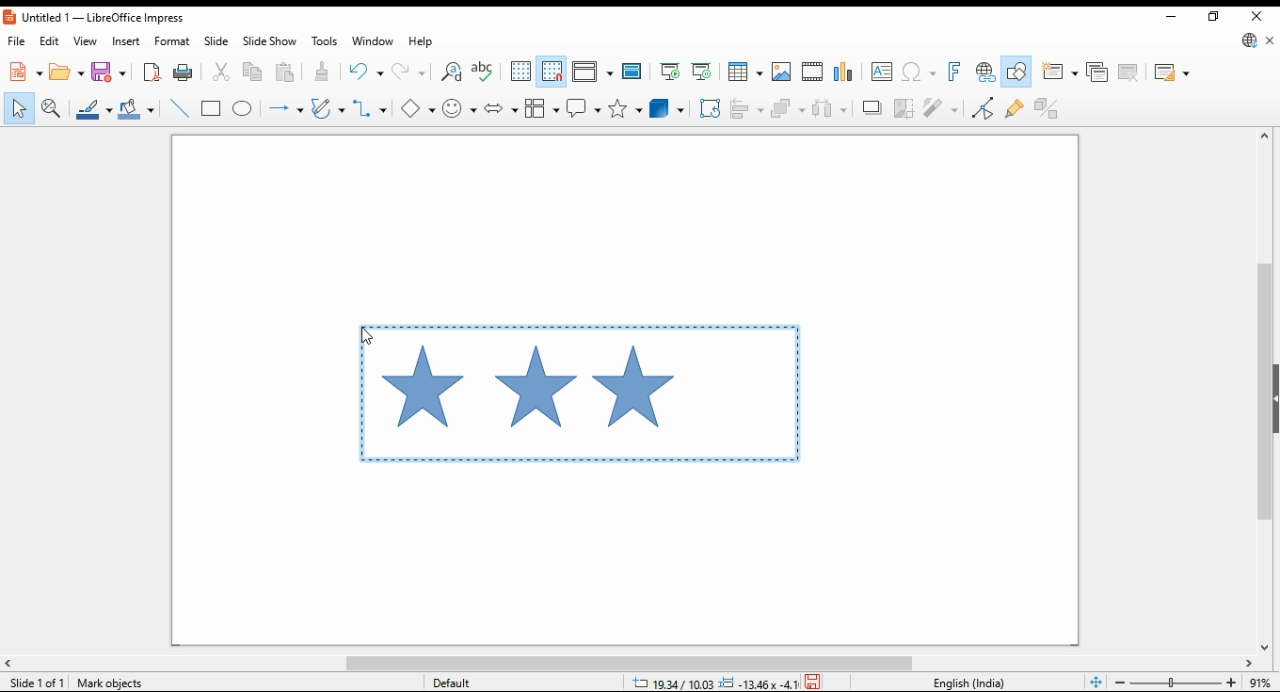 The width and height of the screenshot is (1280, 692). I want to click on find and replace, so click(451, 73).